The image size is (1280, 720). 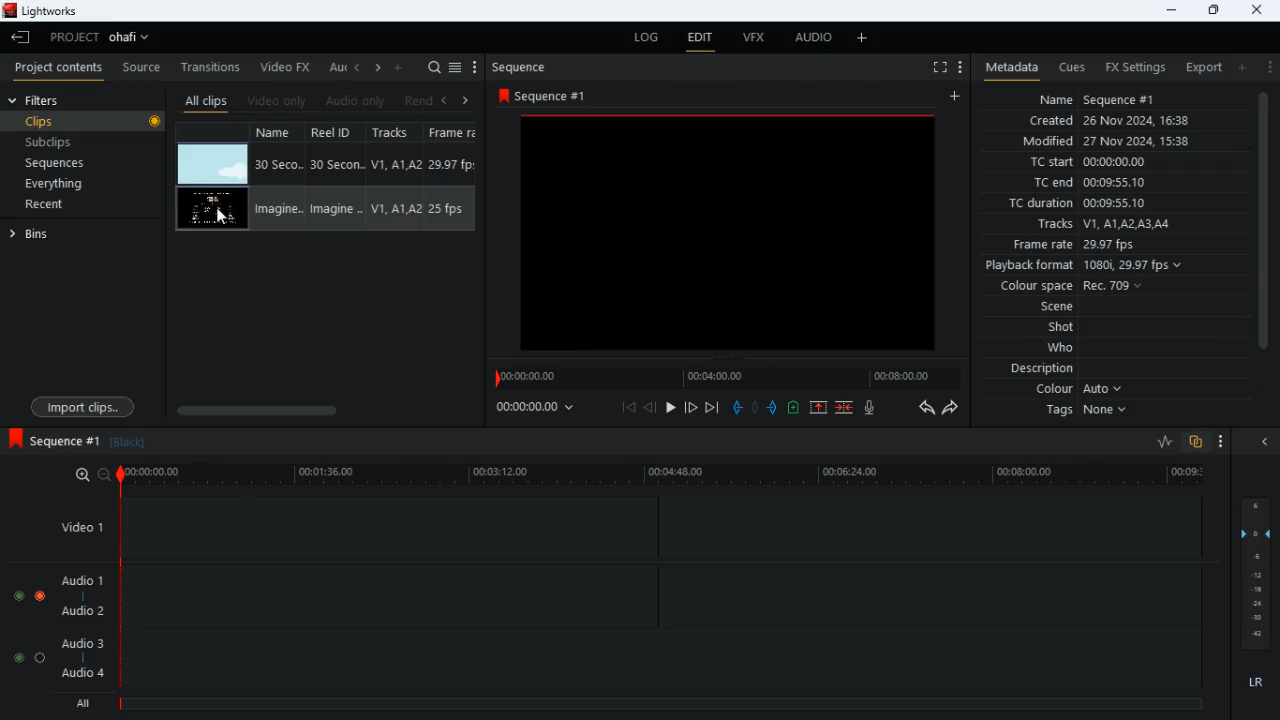 I want to click on close, so click(x=1262, y=441).